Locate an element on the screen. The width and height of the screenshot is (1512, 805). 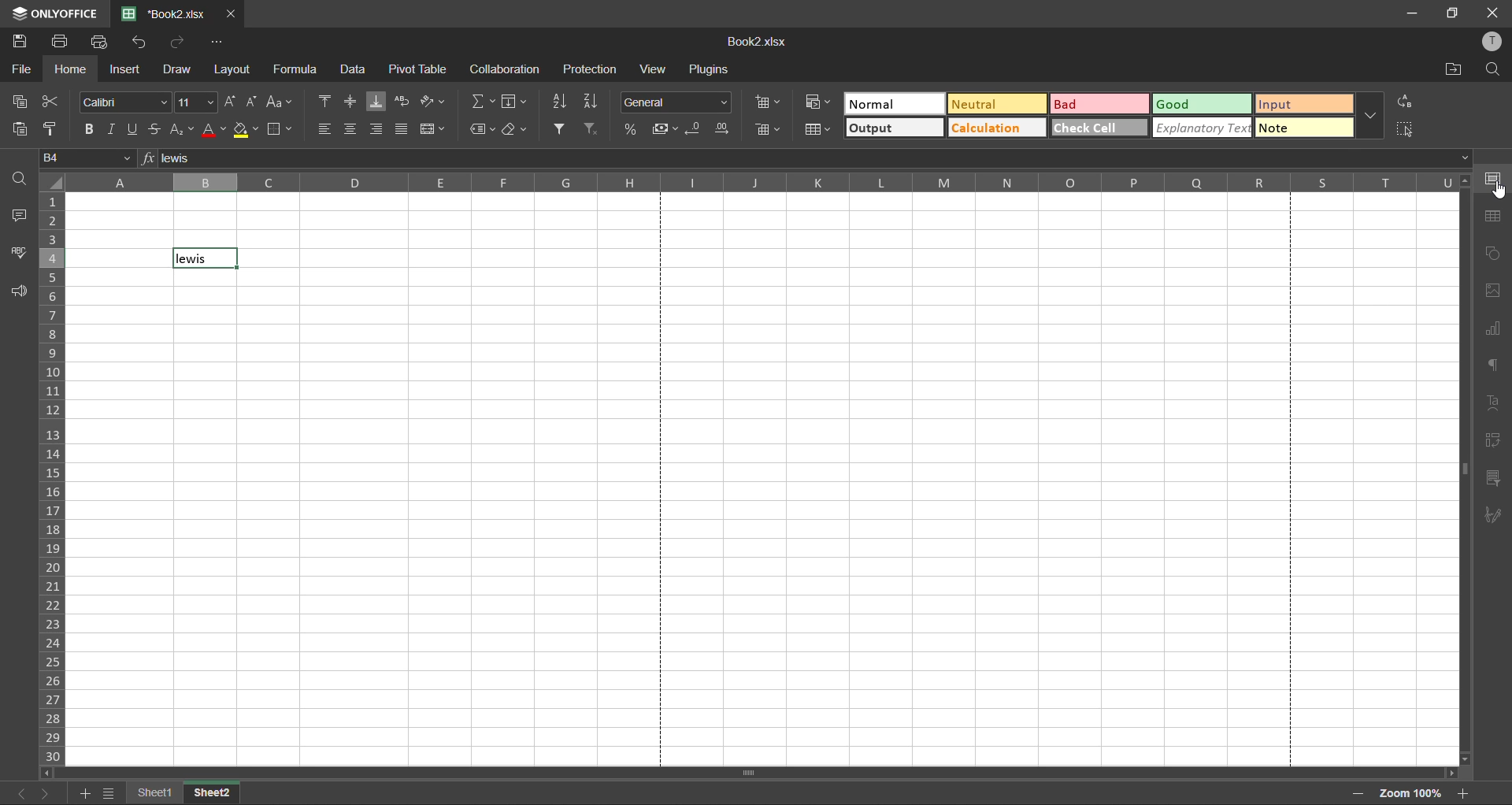
clear is located at coordinates (516, 128).